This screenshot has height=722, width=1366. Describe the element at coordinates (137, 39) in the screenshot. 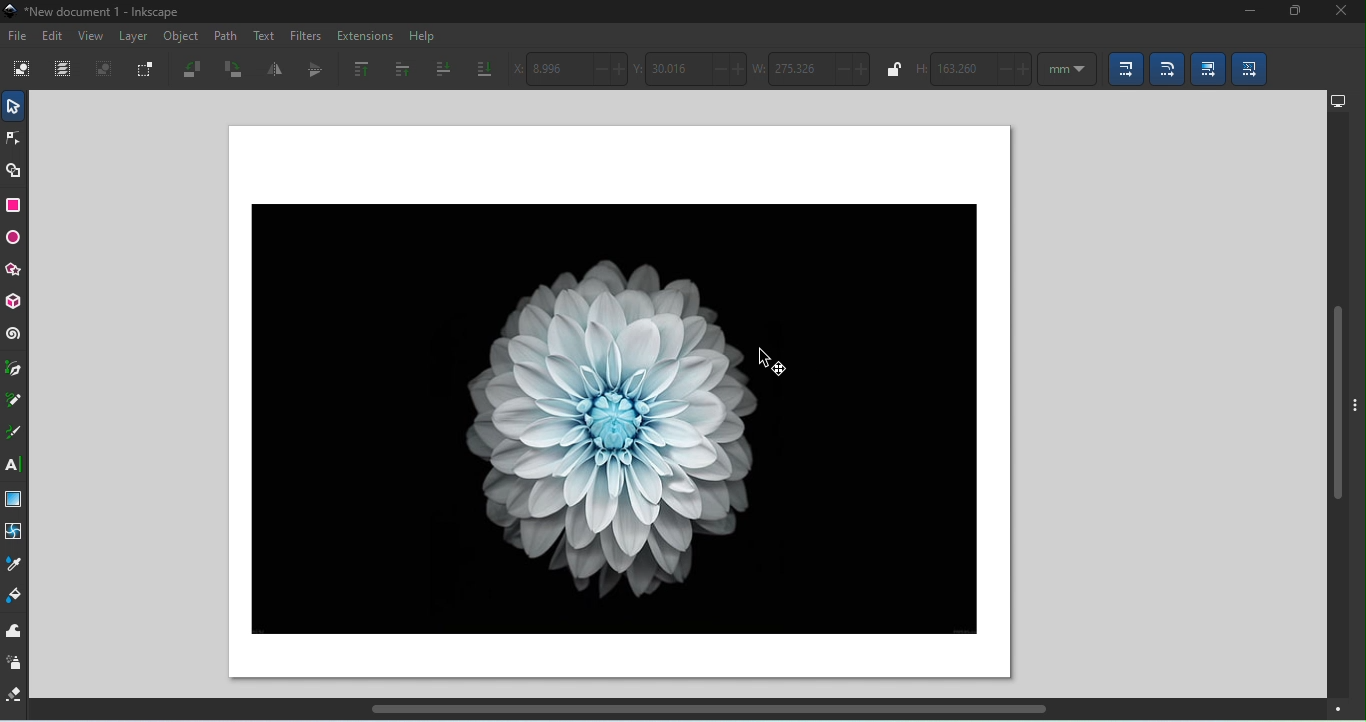

I see `Layer` at that location.